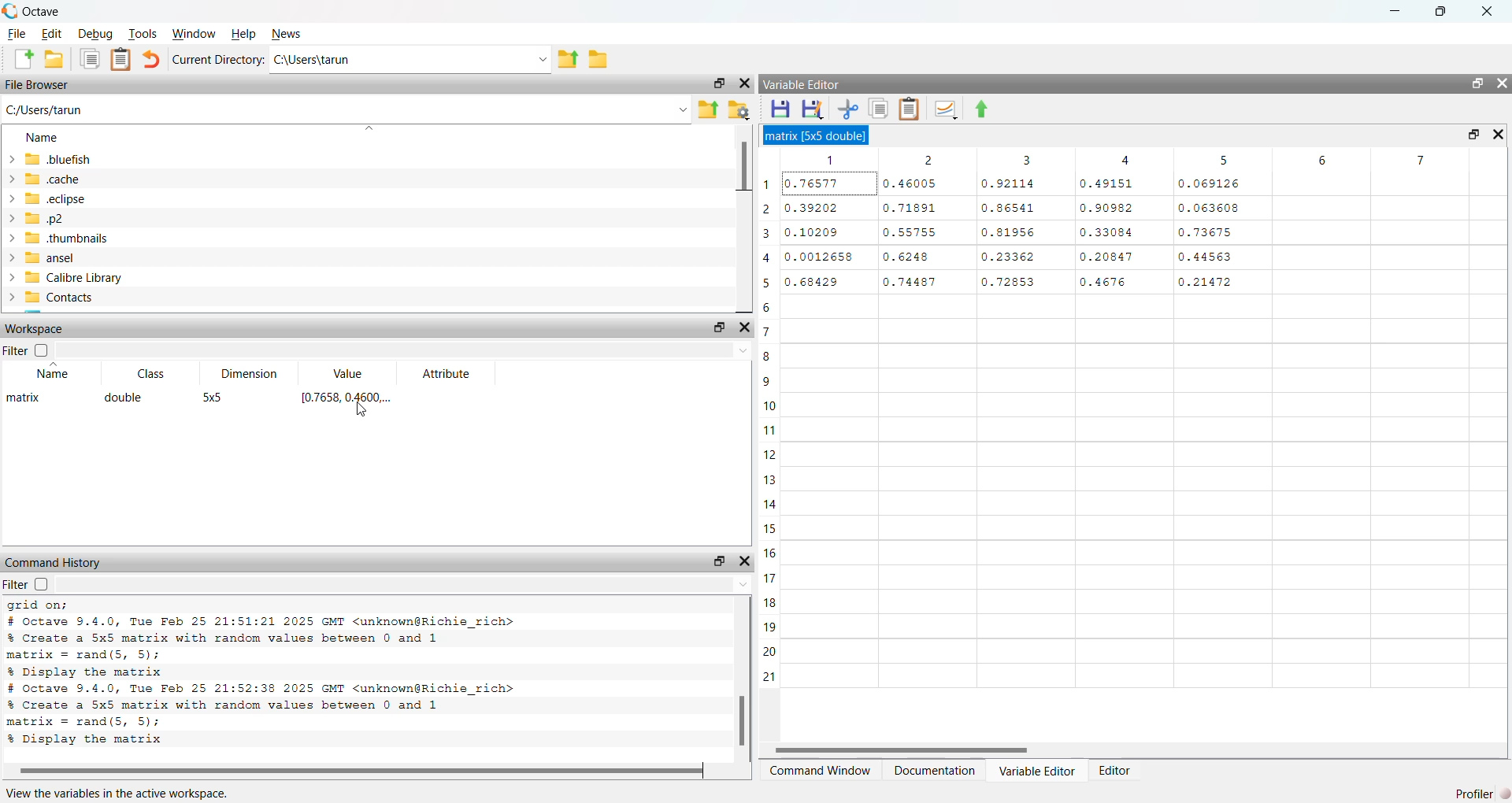 The image size is (1512, 803). What do you see at coordinates (569, 59) in the screenshot?
I see `export` at bounding box center [569, 59].